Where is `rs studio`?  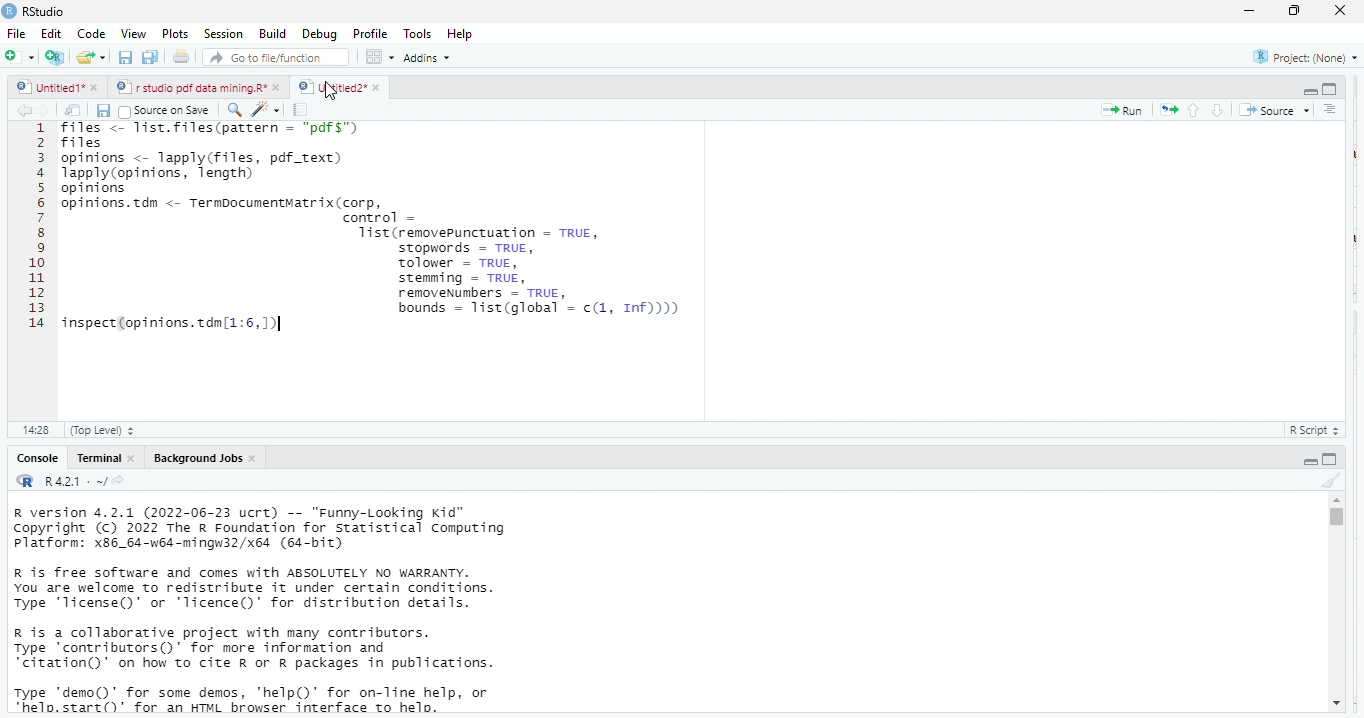
rs studio is located at coordinates (26, 482).